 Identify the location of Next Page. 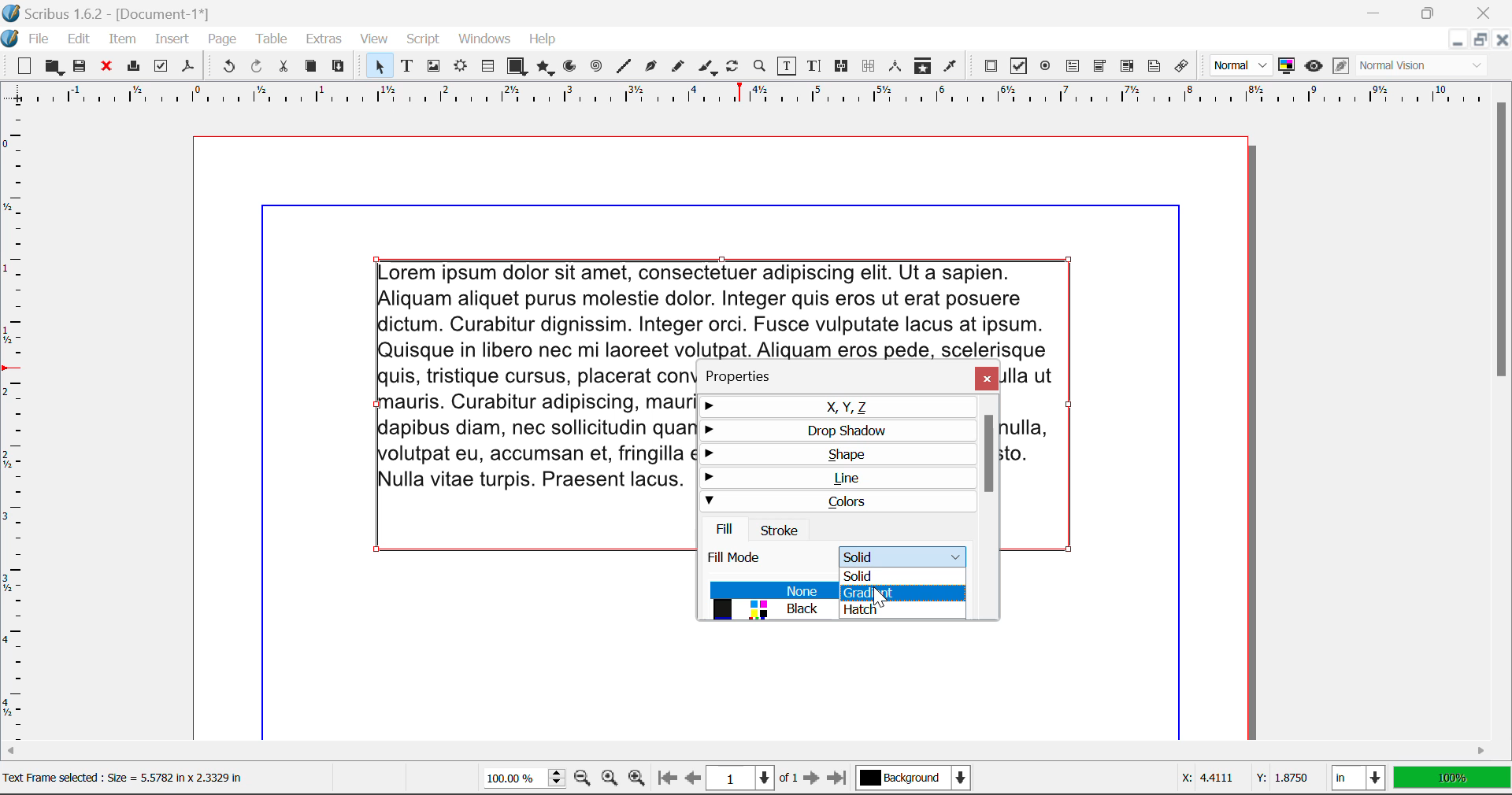
(811, 779).